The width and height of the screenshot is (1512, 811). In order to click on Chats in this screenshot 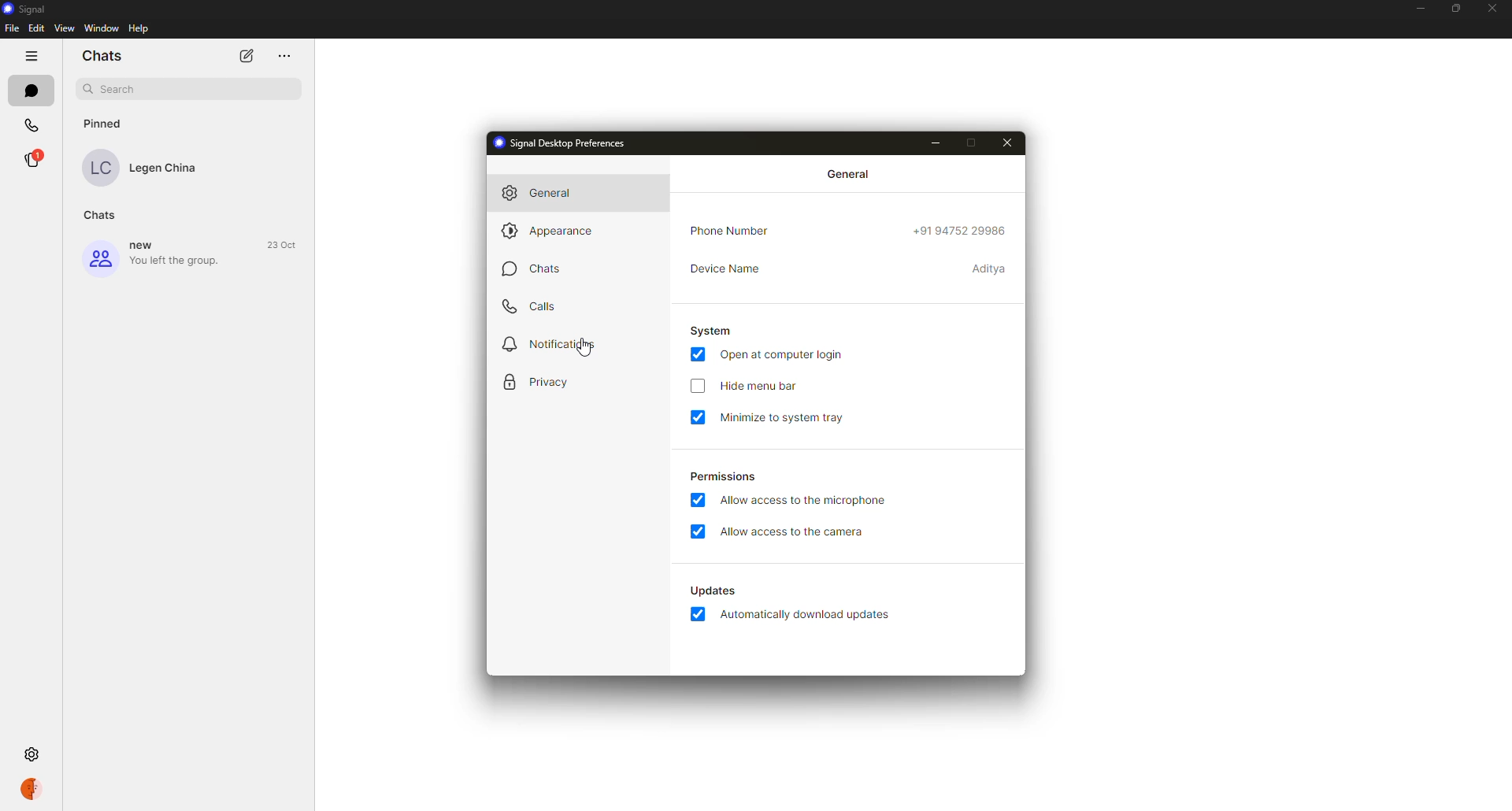, I will do `click(102, 215)`.